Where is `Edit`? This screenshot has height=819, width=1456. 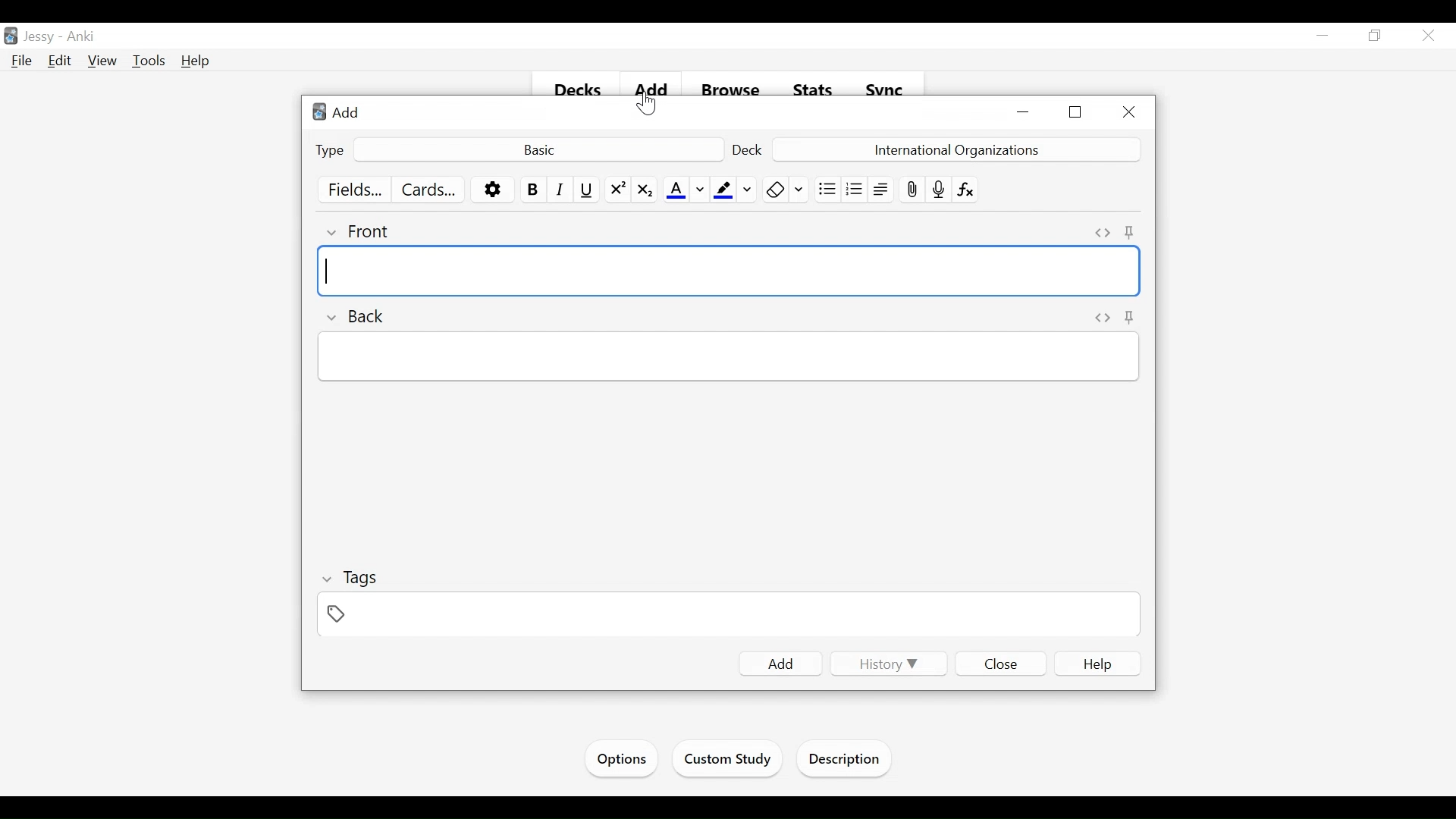 Edit is located at coordinates (61, 60).